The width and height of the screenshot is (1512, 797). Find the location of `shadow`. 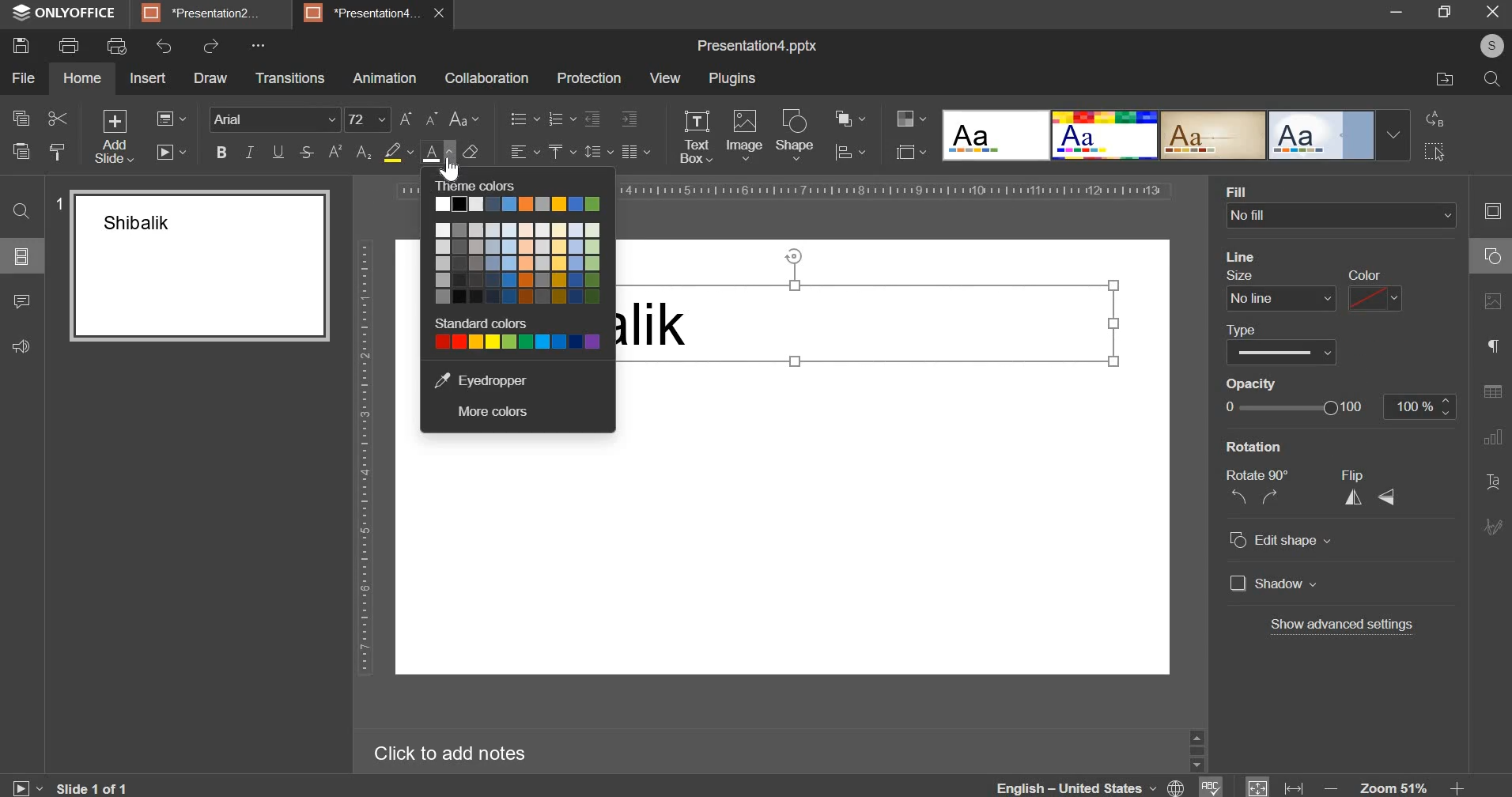

shadow is located at coordinates (1275, 585).